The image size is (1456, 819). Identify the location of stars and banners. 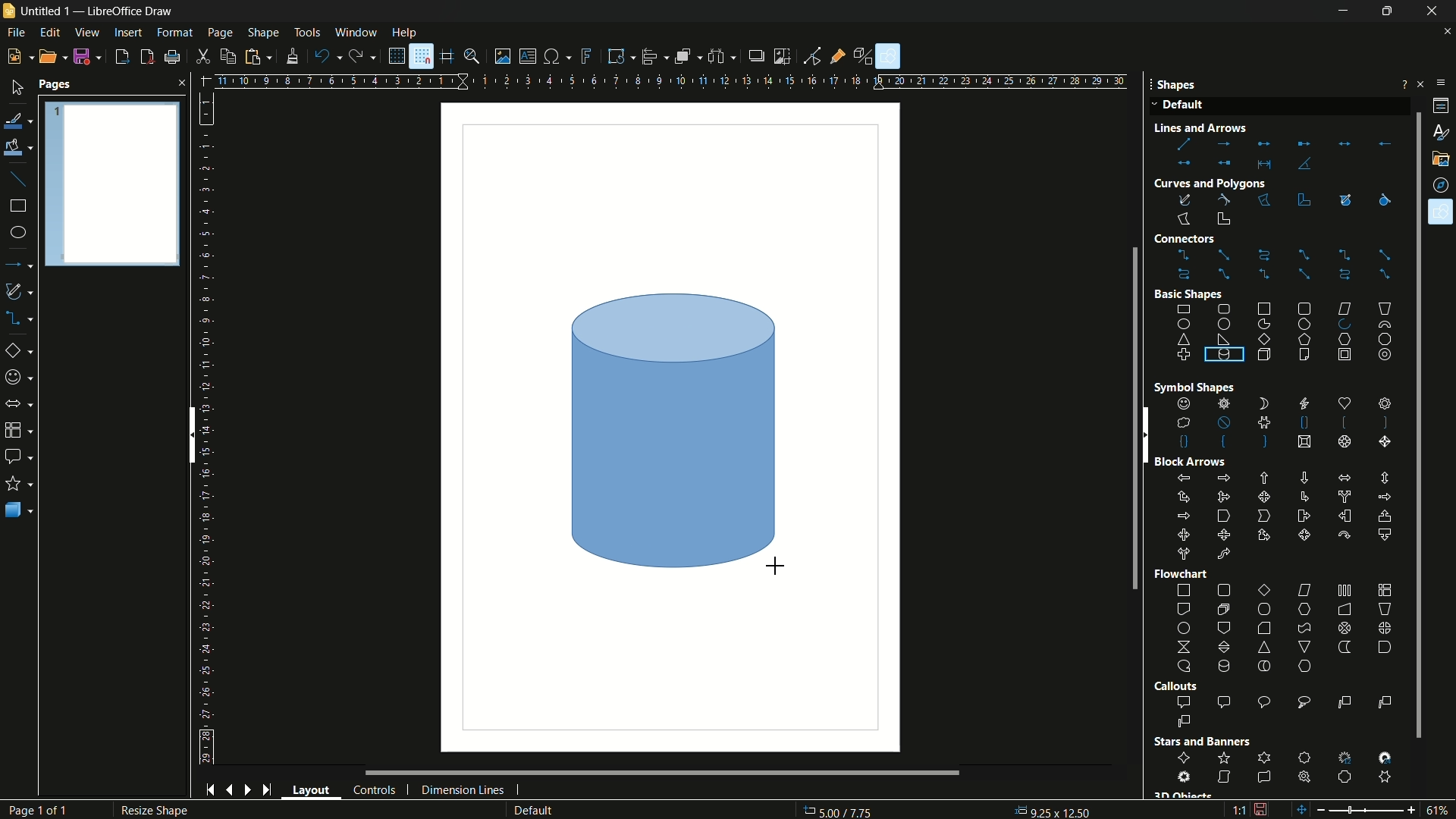
(1289, 767).